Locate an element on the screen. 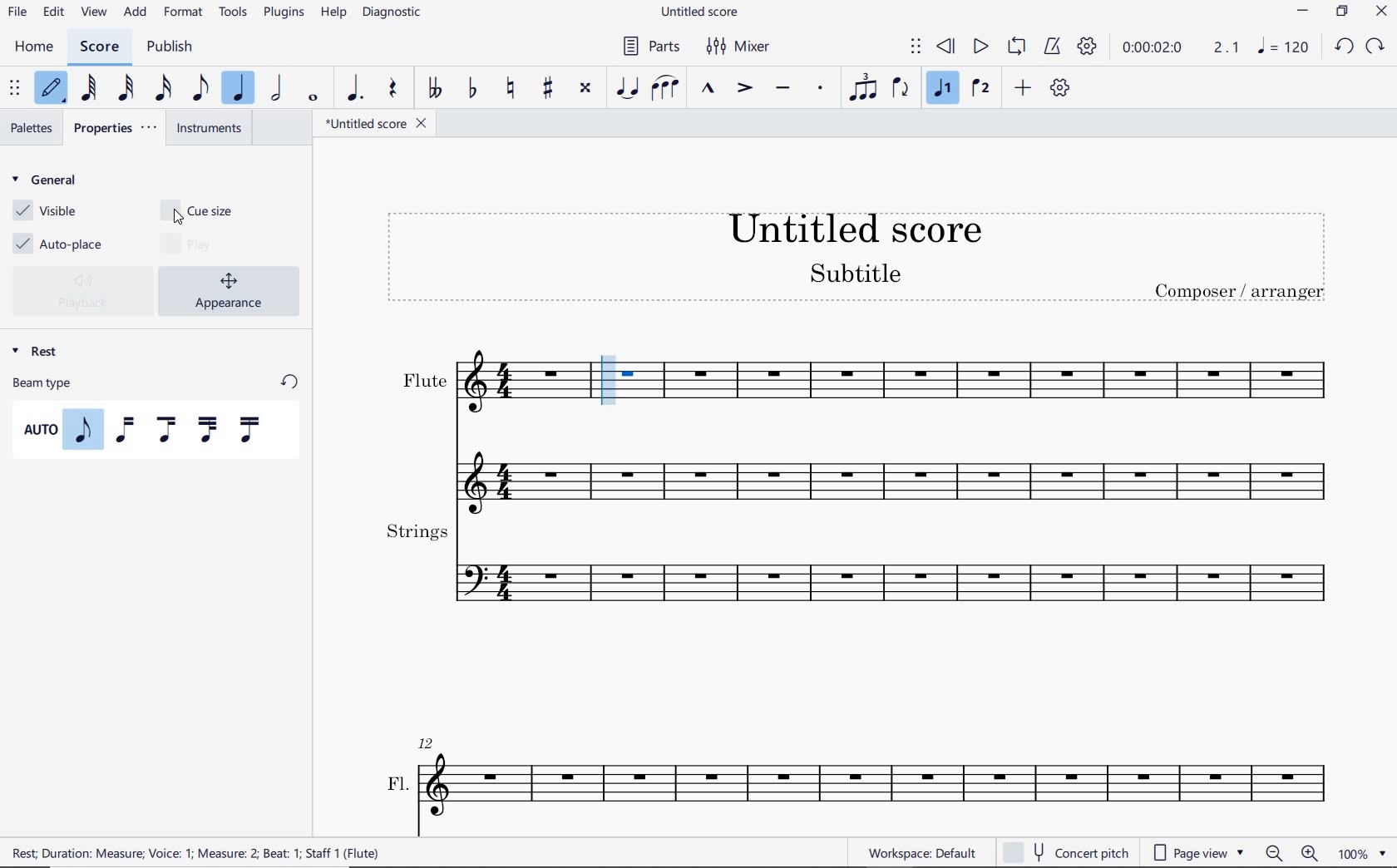 The image size is (1397, 868). FILE NAME is located at coordinates (375, 123).